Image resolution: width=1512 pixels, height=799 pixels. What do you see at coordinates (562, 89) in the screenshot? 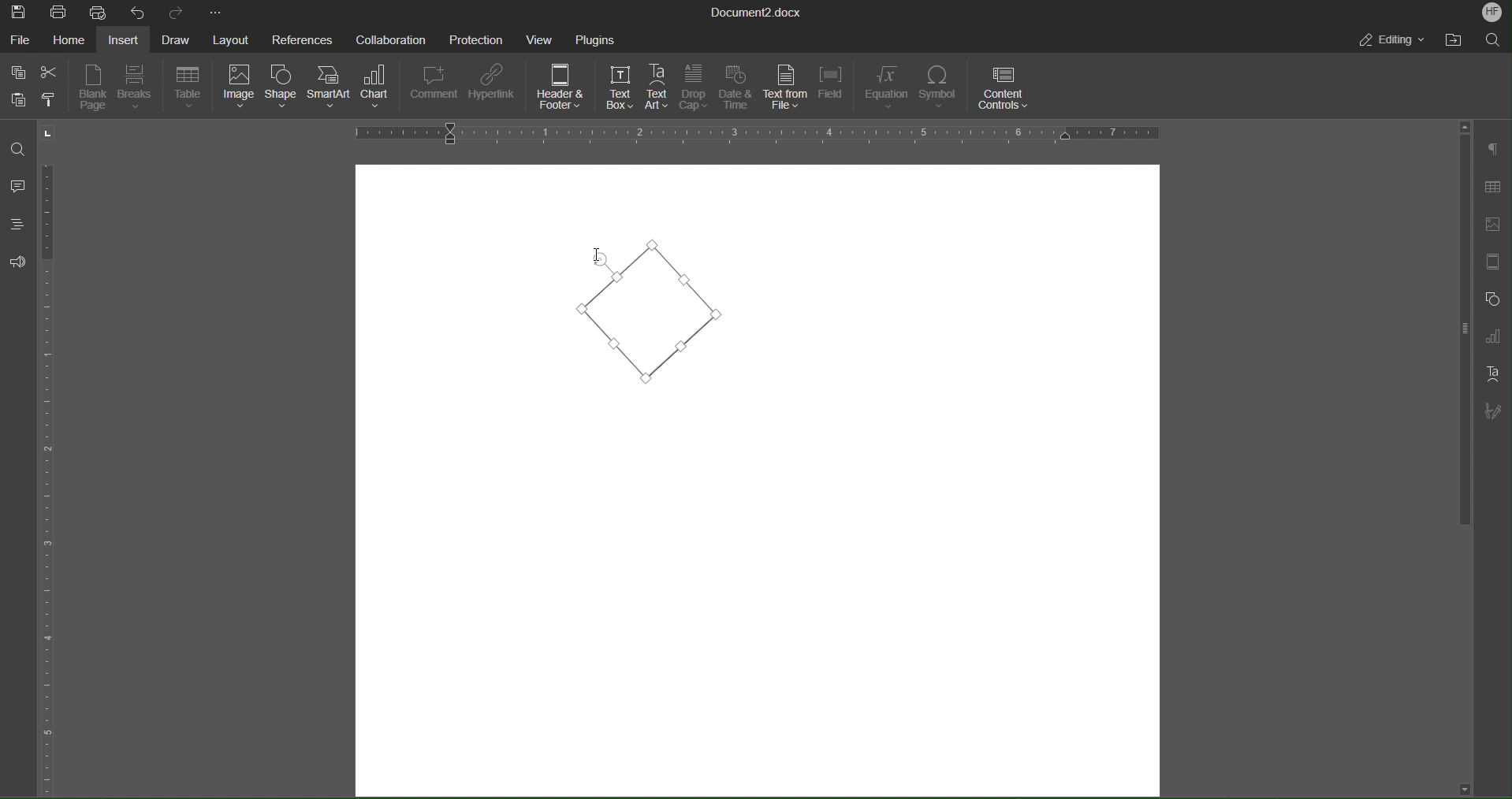
I see `Header & Footer` at bounding box center [562, 89].